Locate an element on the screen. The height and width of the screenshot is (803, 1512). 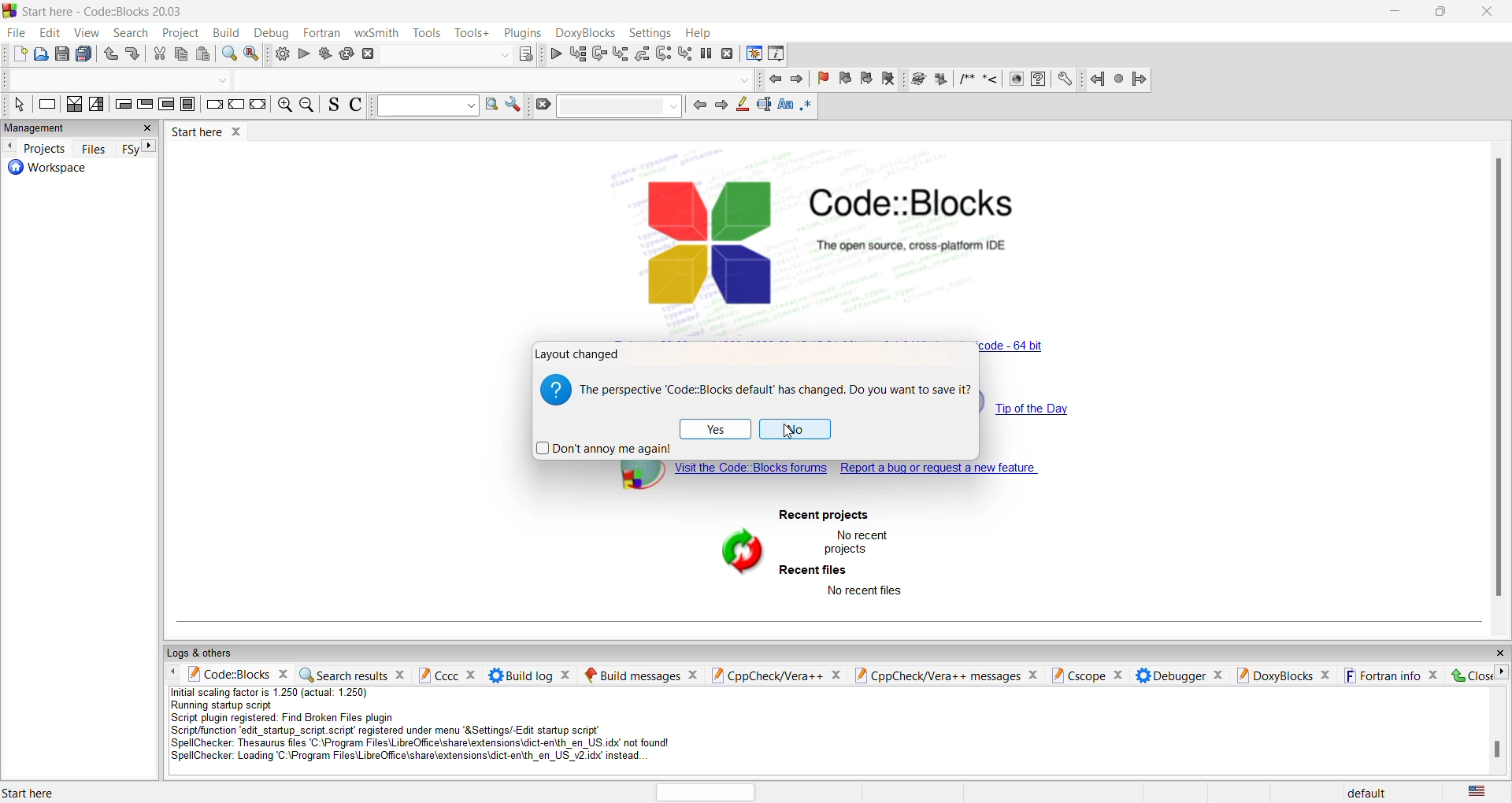
workspace is located at coordinates (43, 170).